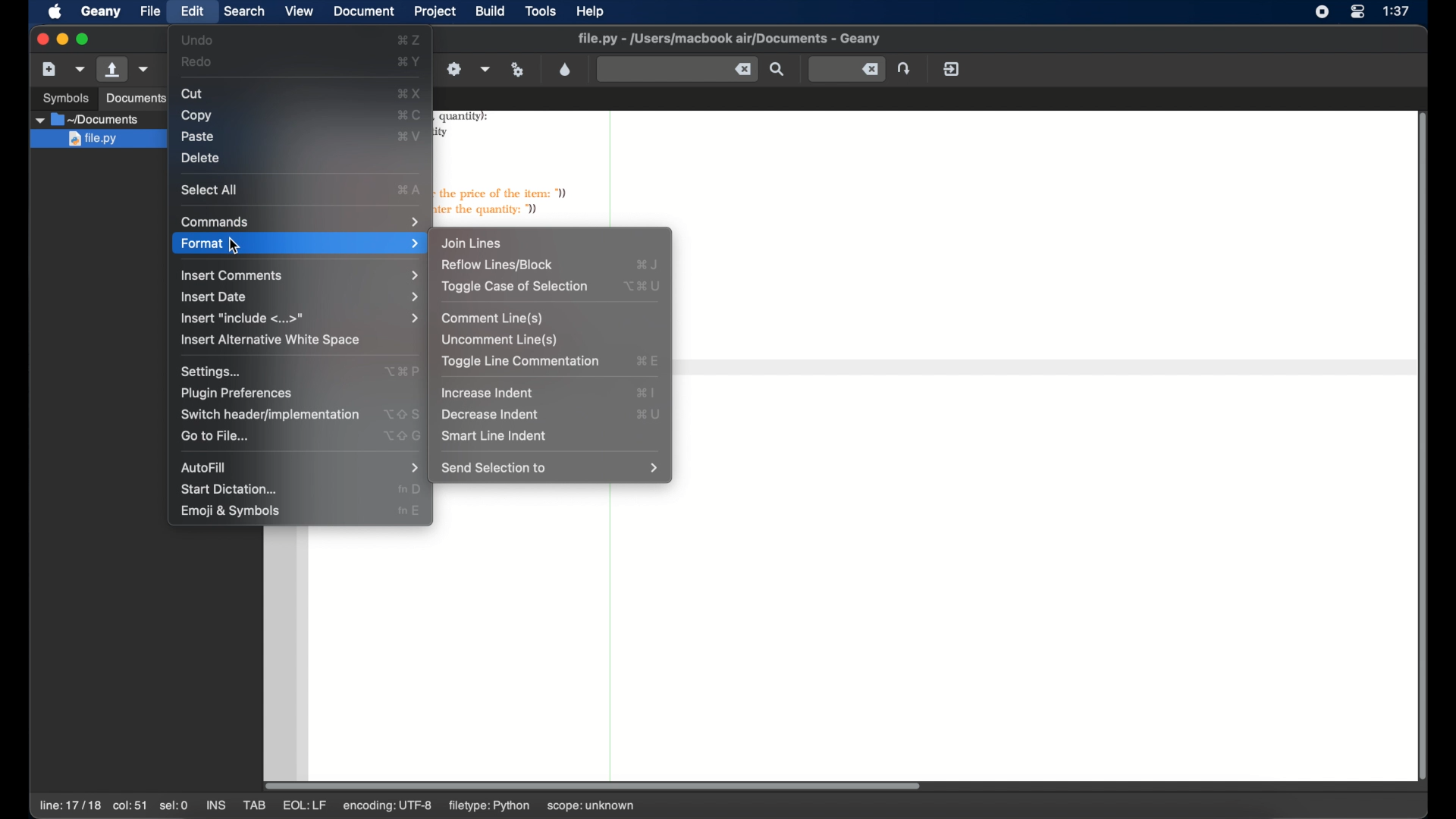 This screenshot has width=1456, height=819. What do you see at coordinates (130, 807) in the screenshot?
I see `col:51` at bounding box center [130, 807].